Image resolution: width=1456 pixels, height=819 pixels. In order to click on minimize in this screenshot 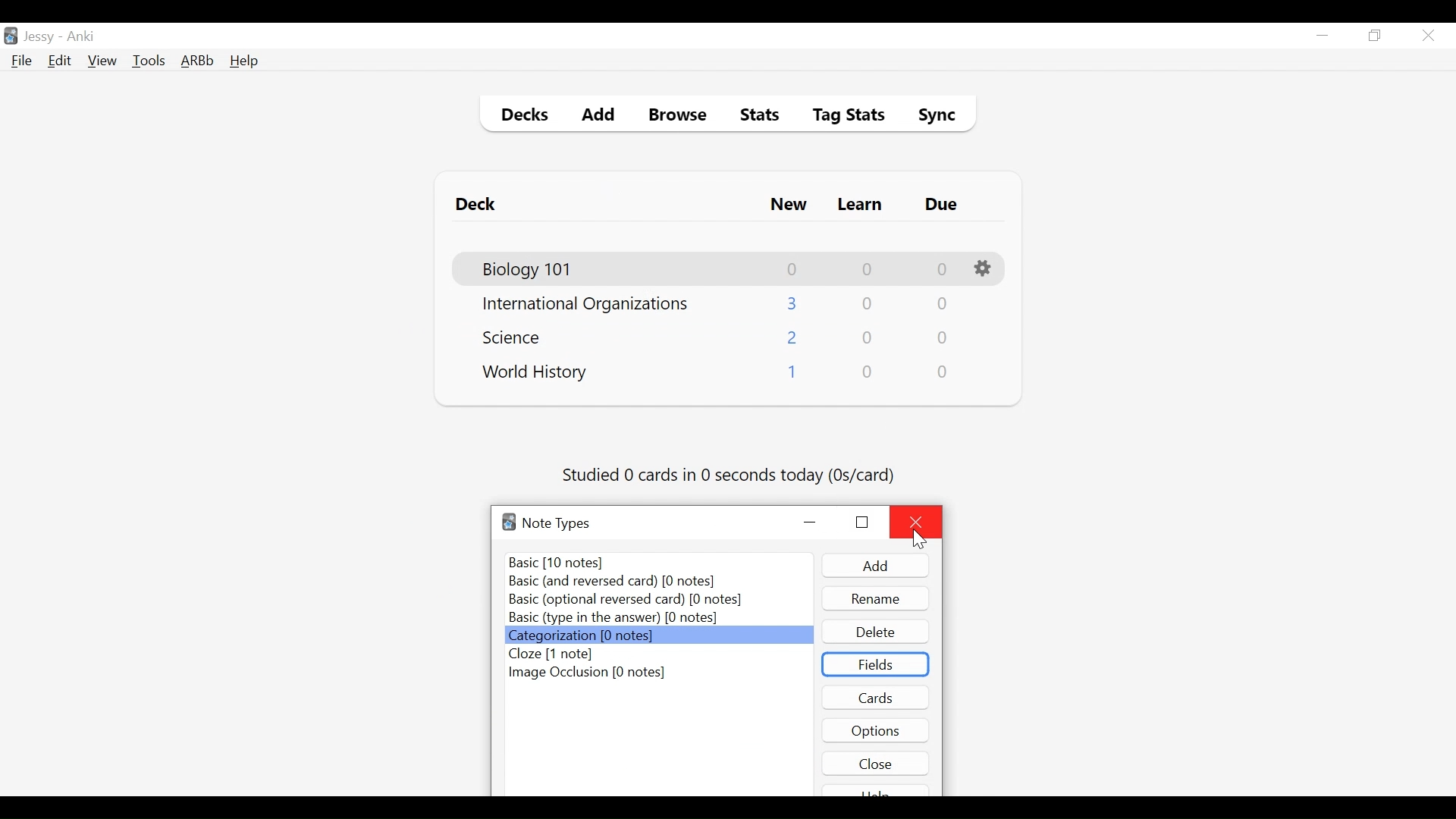, I will do `click(1322, 36)`.